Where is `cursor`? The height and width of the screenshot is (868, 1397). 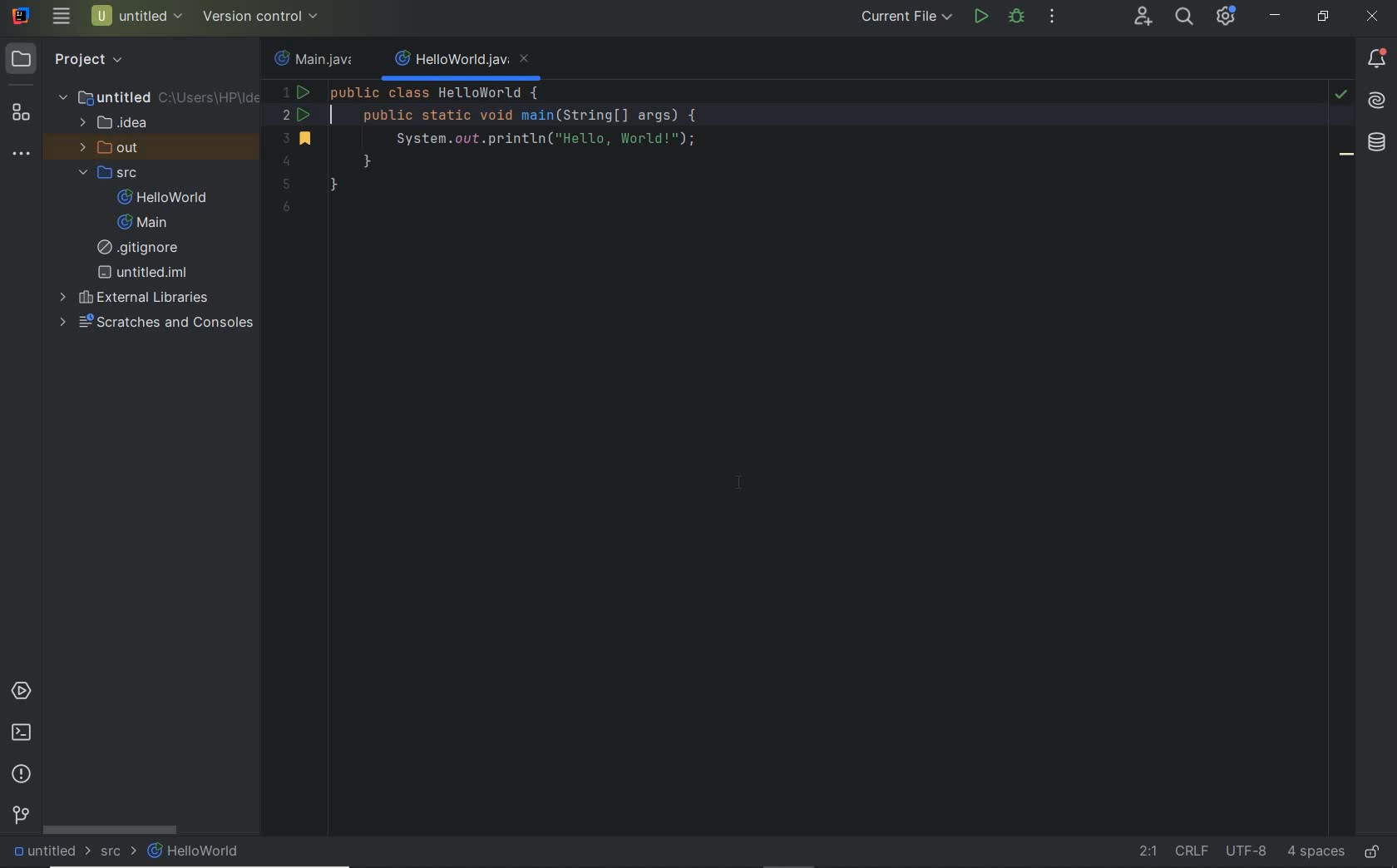 cursor is located at coordinates (741, 484).